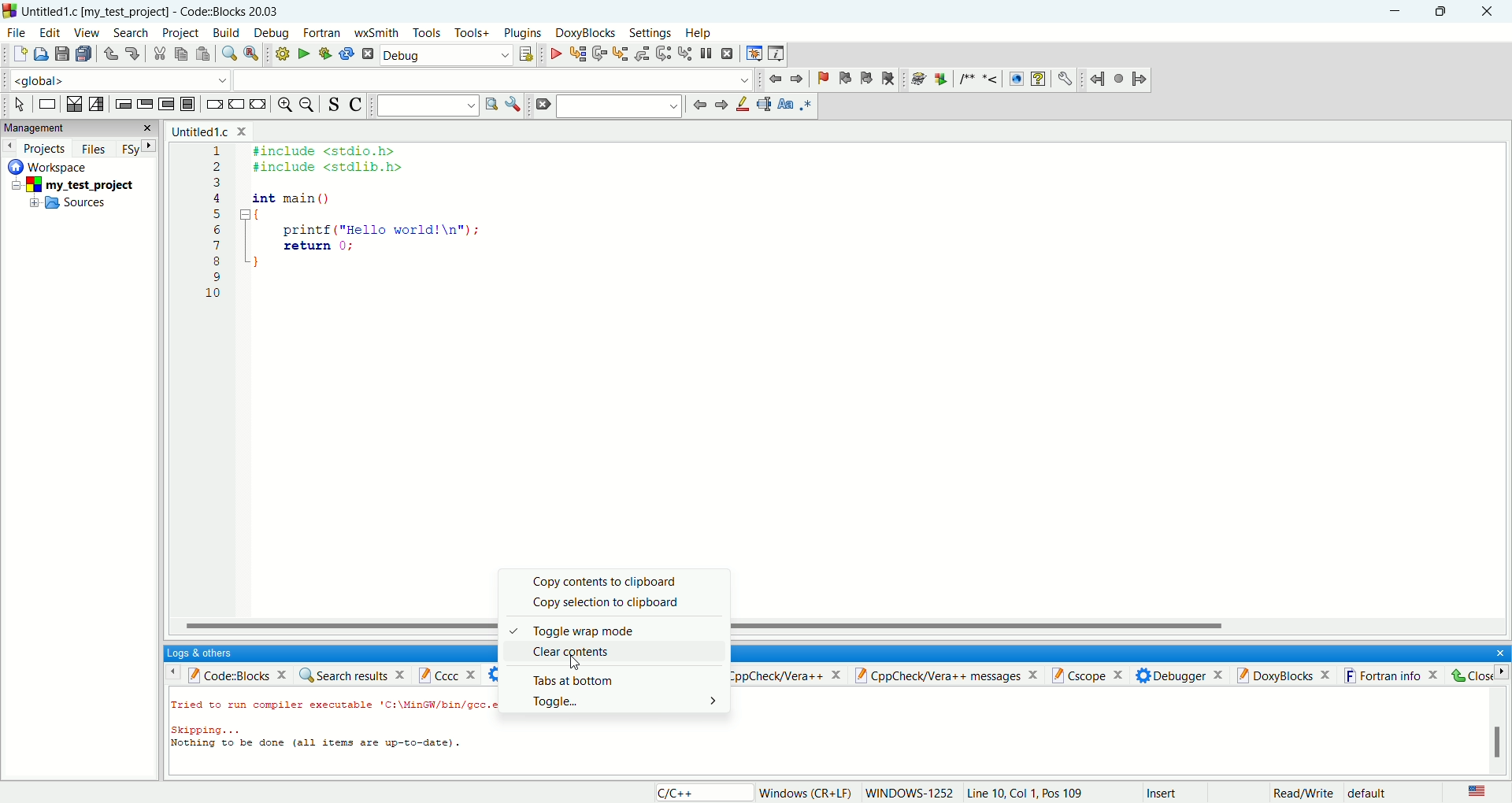  Describe the element at coordinates (700, 792) in the screenshot. I see `C/C++` at that location.